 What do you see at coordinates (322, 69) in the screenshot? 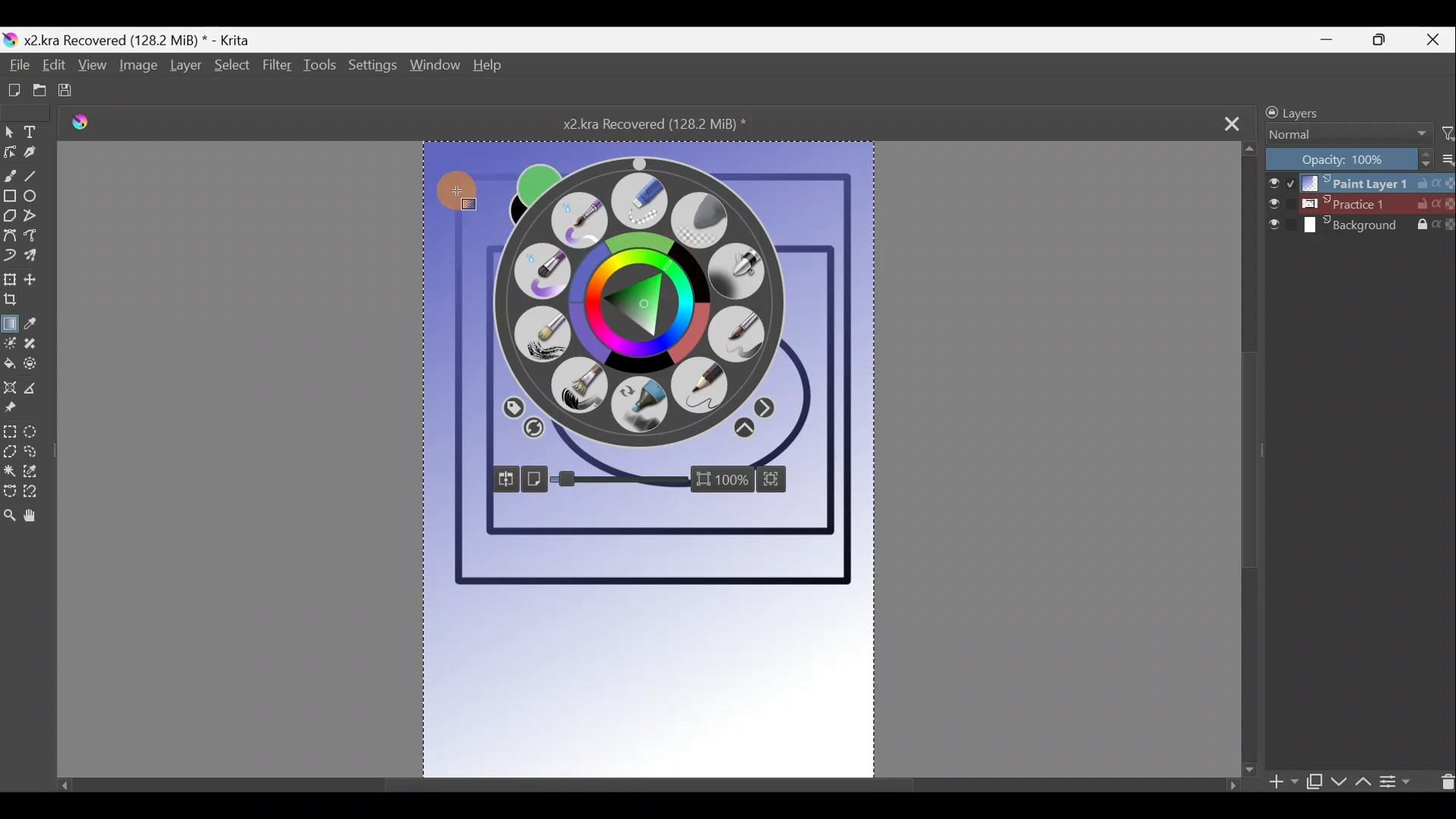
I see `Tools` at bounding box center [322, 69].